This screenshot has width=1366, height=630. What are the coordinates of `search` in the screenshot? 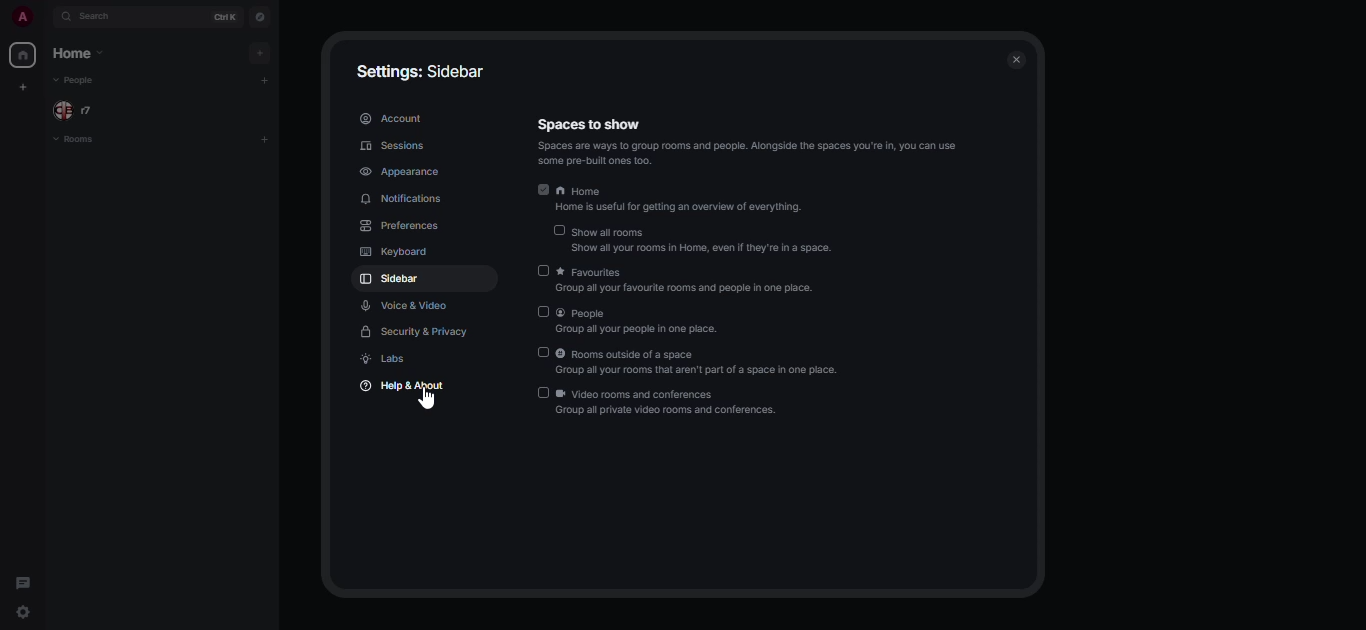 It's located at (93, 17).